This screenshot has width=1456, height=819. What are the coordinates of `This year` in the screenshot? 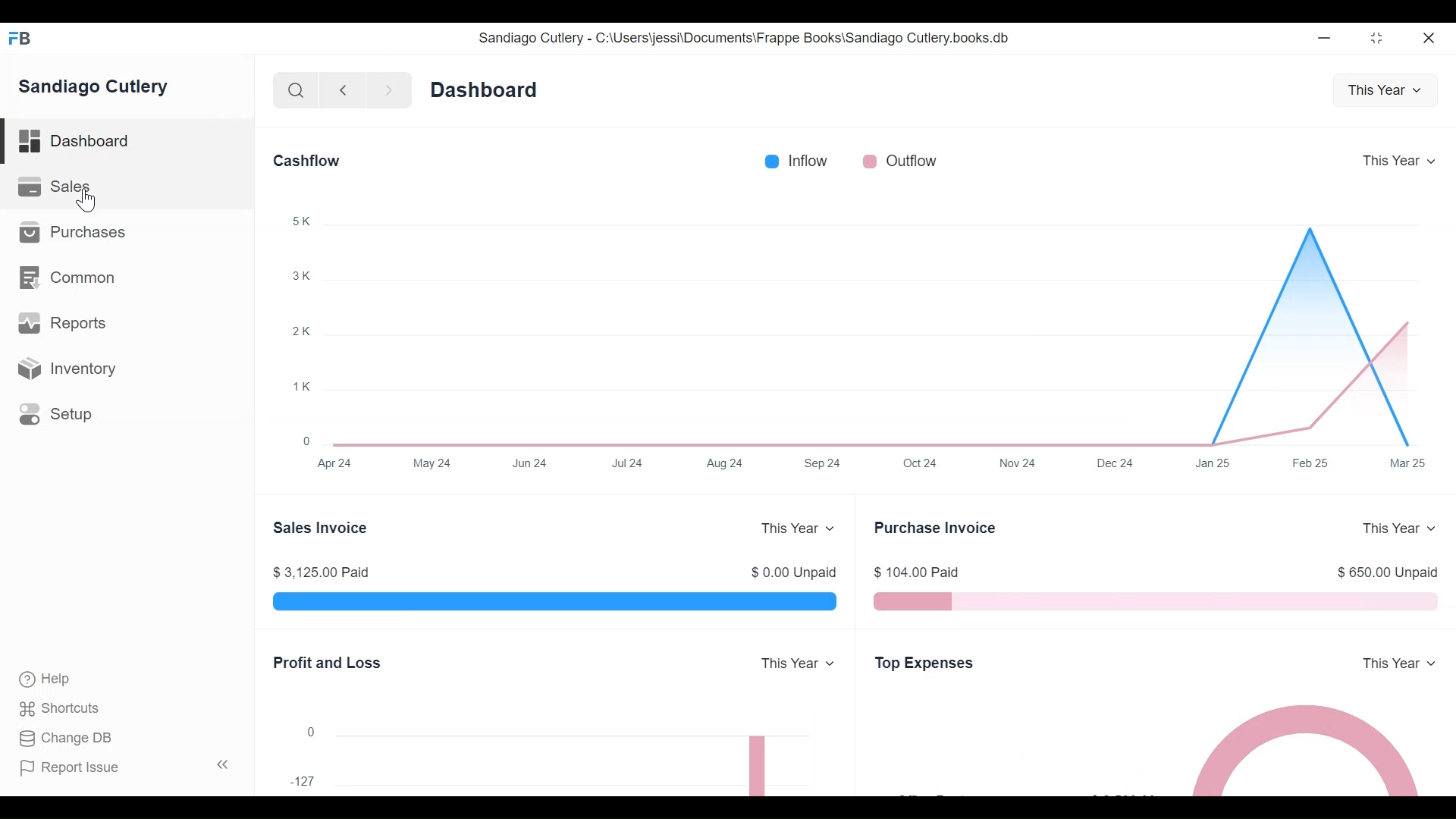 It's located at (1398, 160).